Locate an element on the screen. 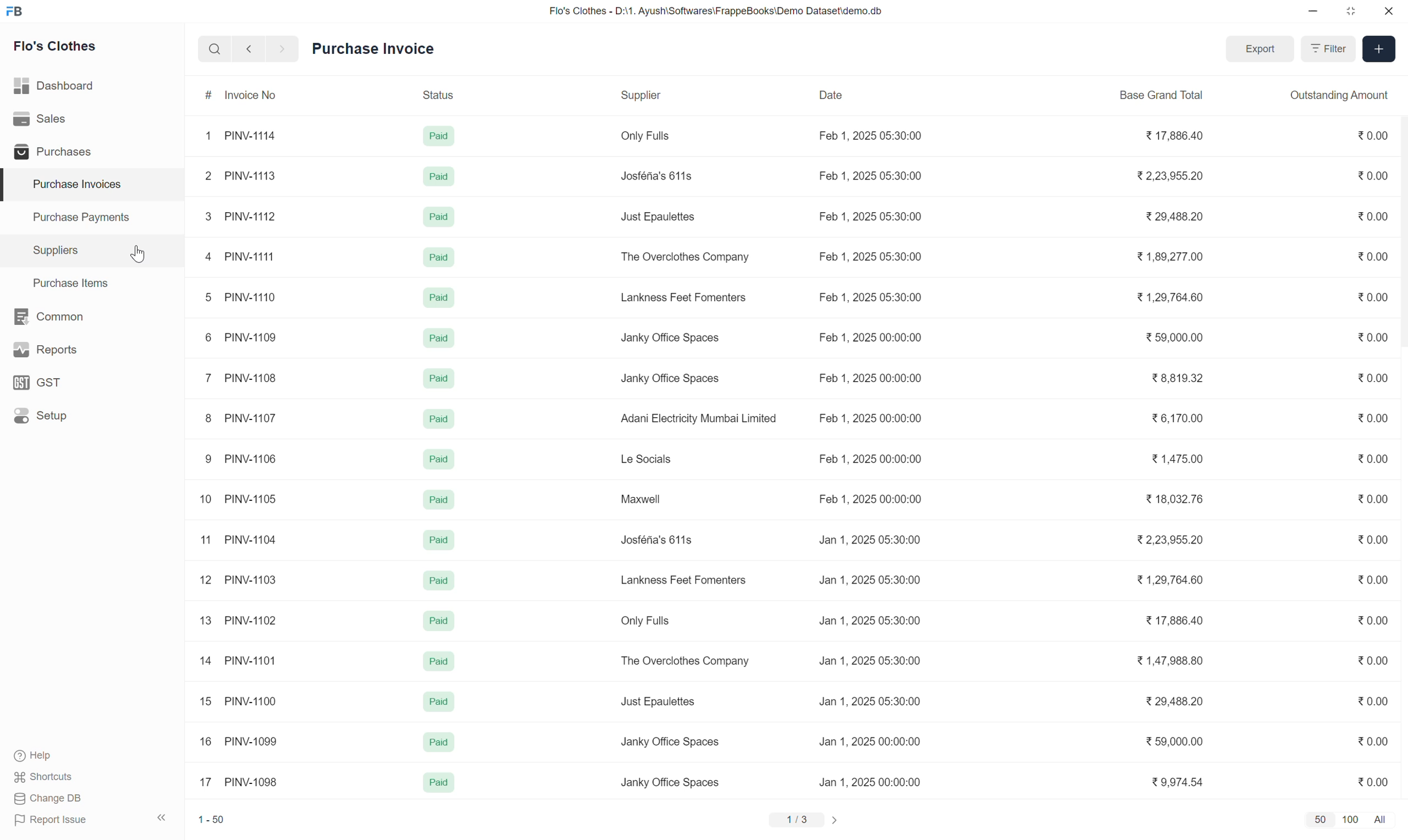  0.00 is located at coordinates (1371, 297).